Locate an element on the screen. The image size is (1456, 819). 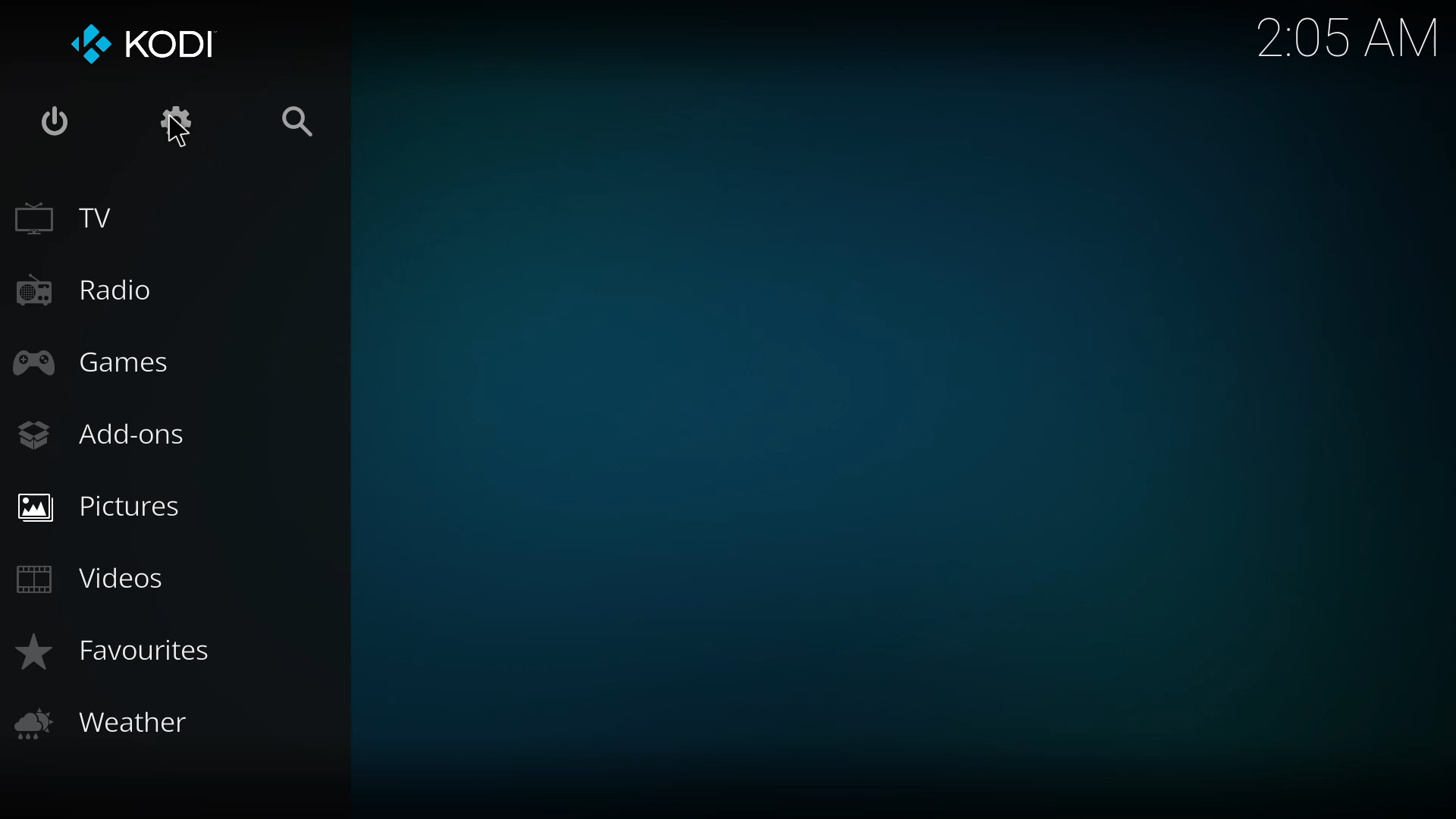
weather is located at coordinates (109, 725).